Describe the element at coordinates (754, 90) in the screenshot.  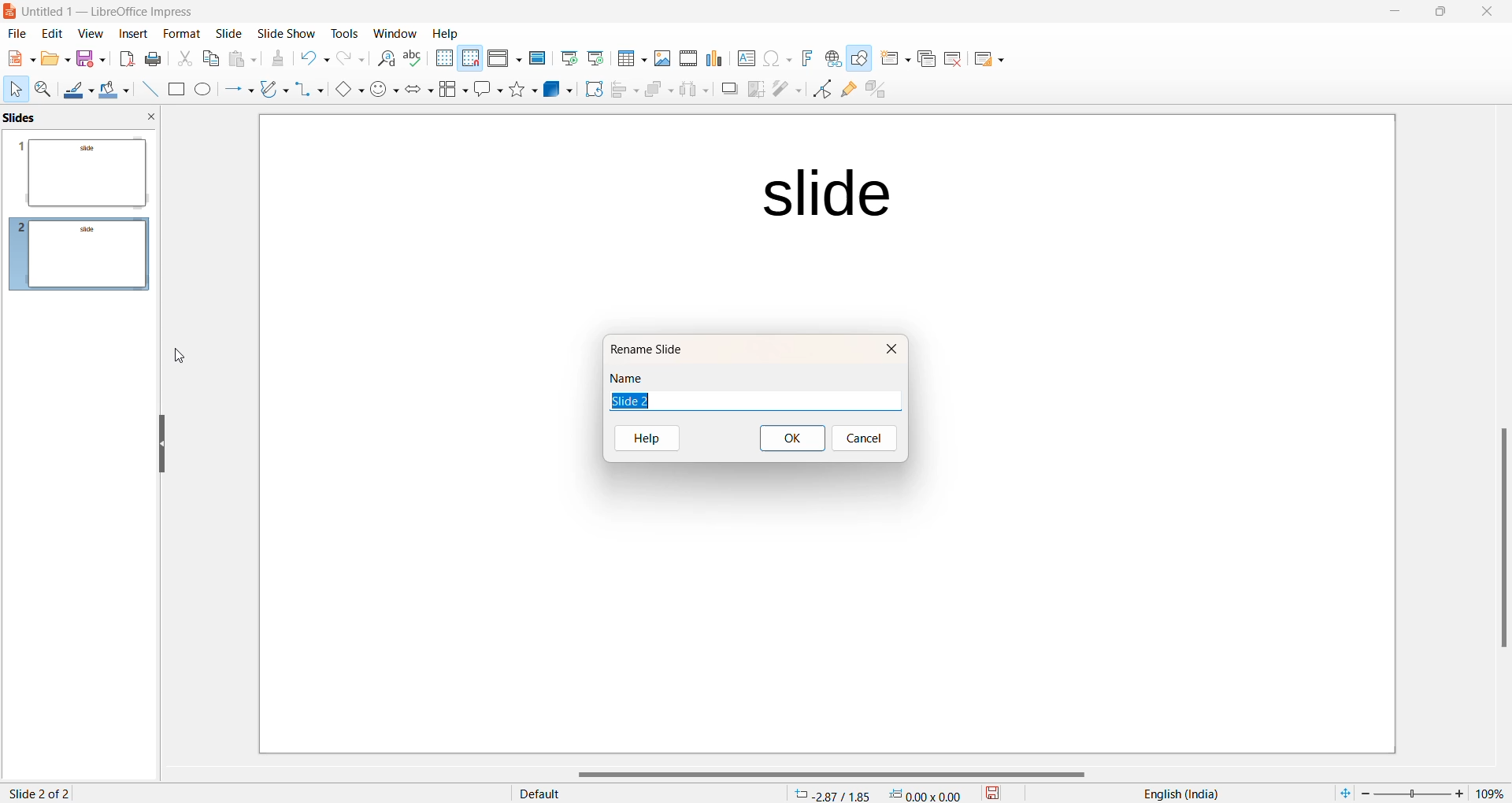
I see `crop image` at that location.